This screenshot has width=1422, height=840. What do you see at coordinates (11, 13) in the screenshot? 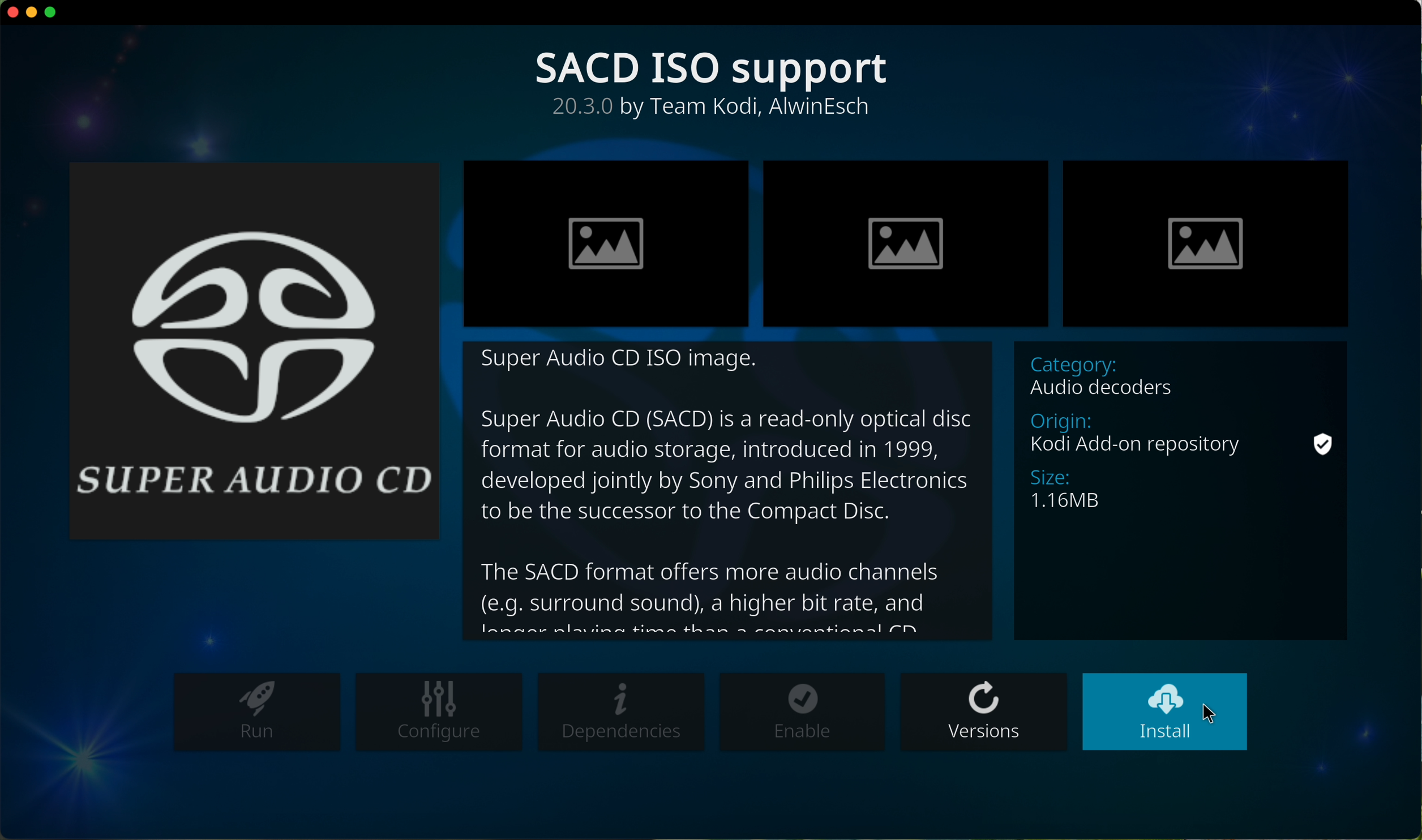
I see `close program` at bounding box center [11, 13].